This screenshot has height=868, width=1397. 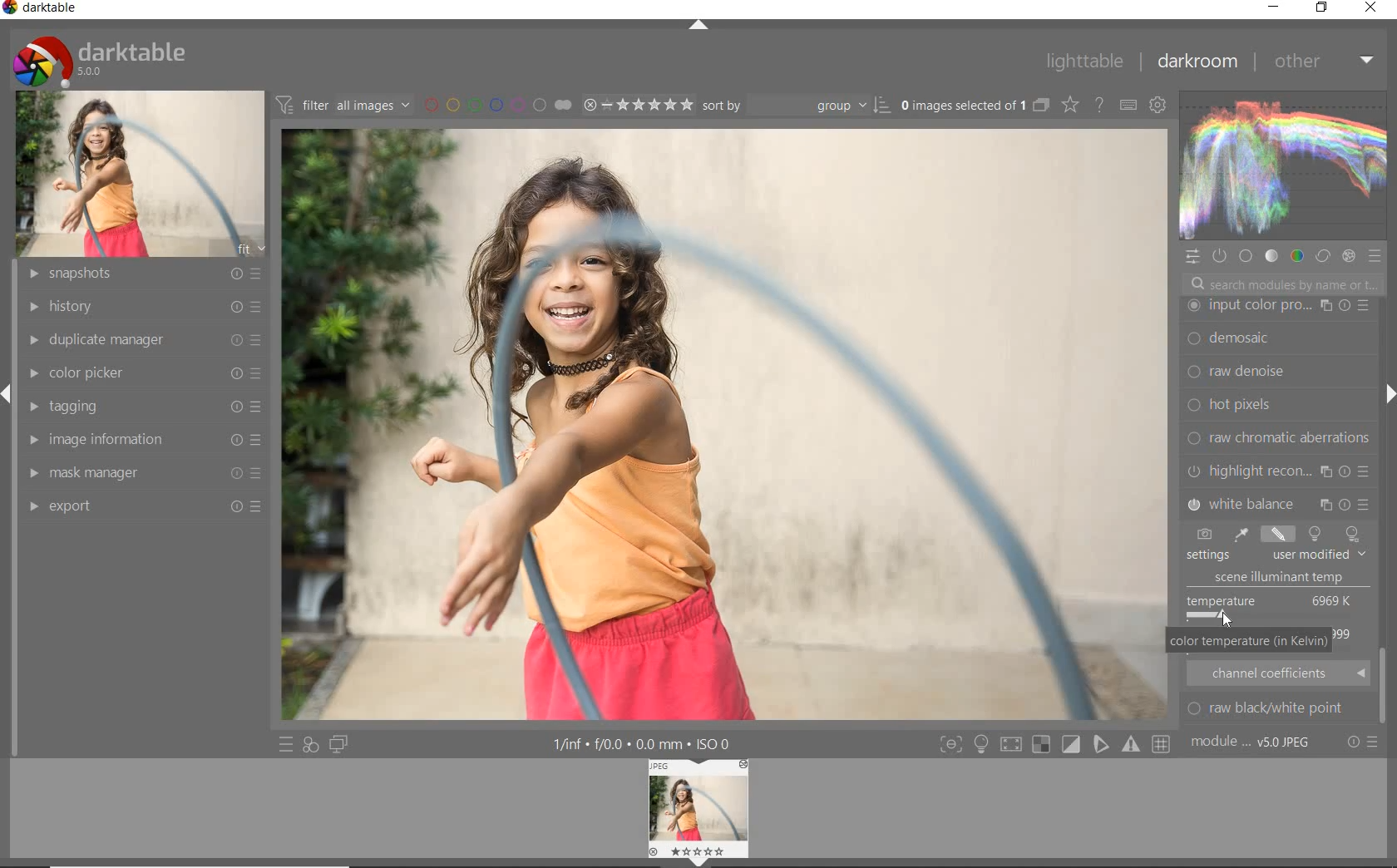 What do you see at coordinates (980, 744) in the screenshot?
I see `sign ` at bounding box center [980, 744].